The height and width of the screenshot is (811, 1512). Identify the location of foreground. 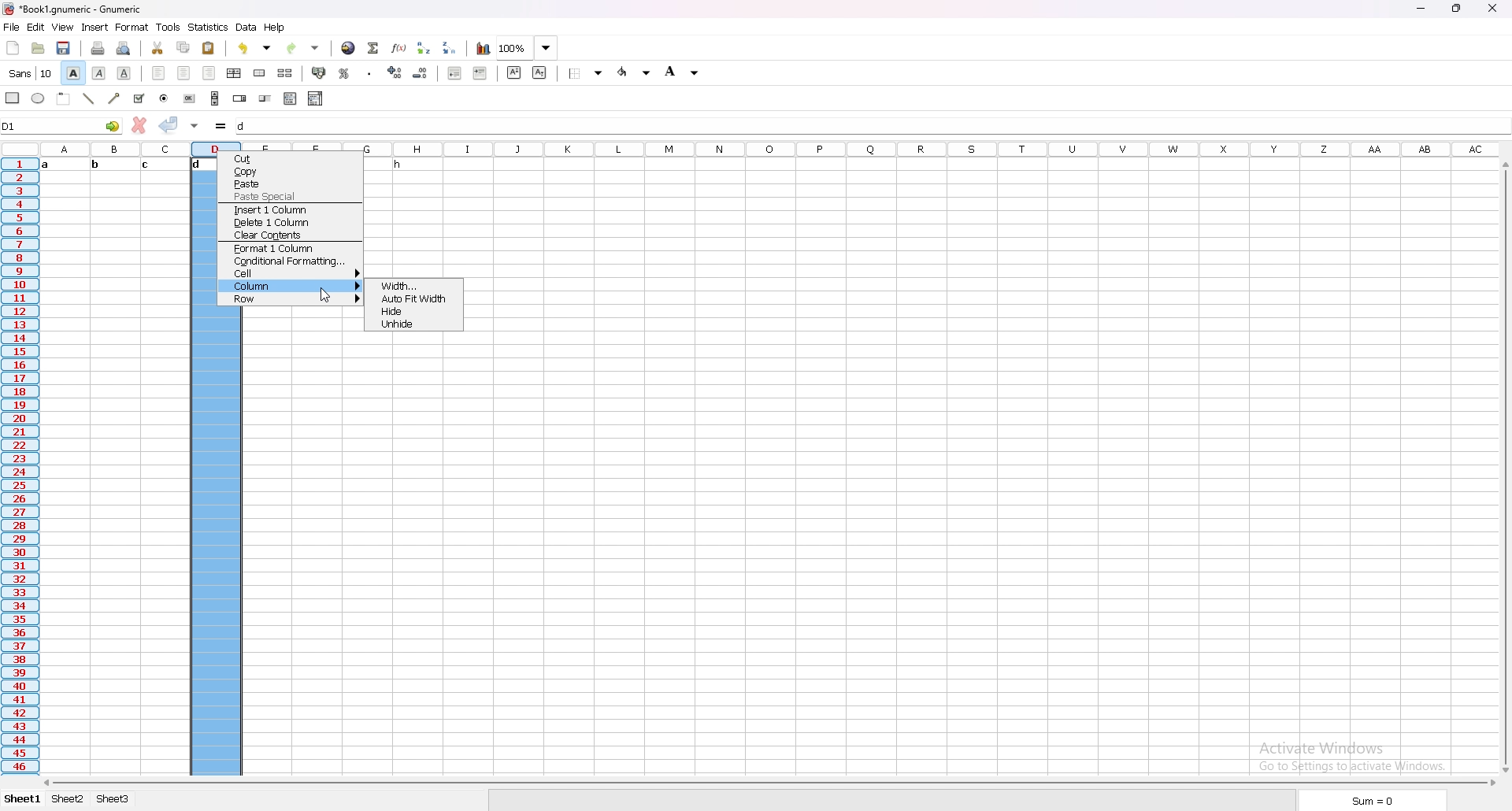
(635, 72).